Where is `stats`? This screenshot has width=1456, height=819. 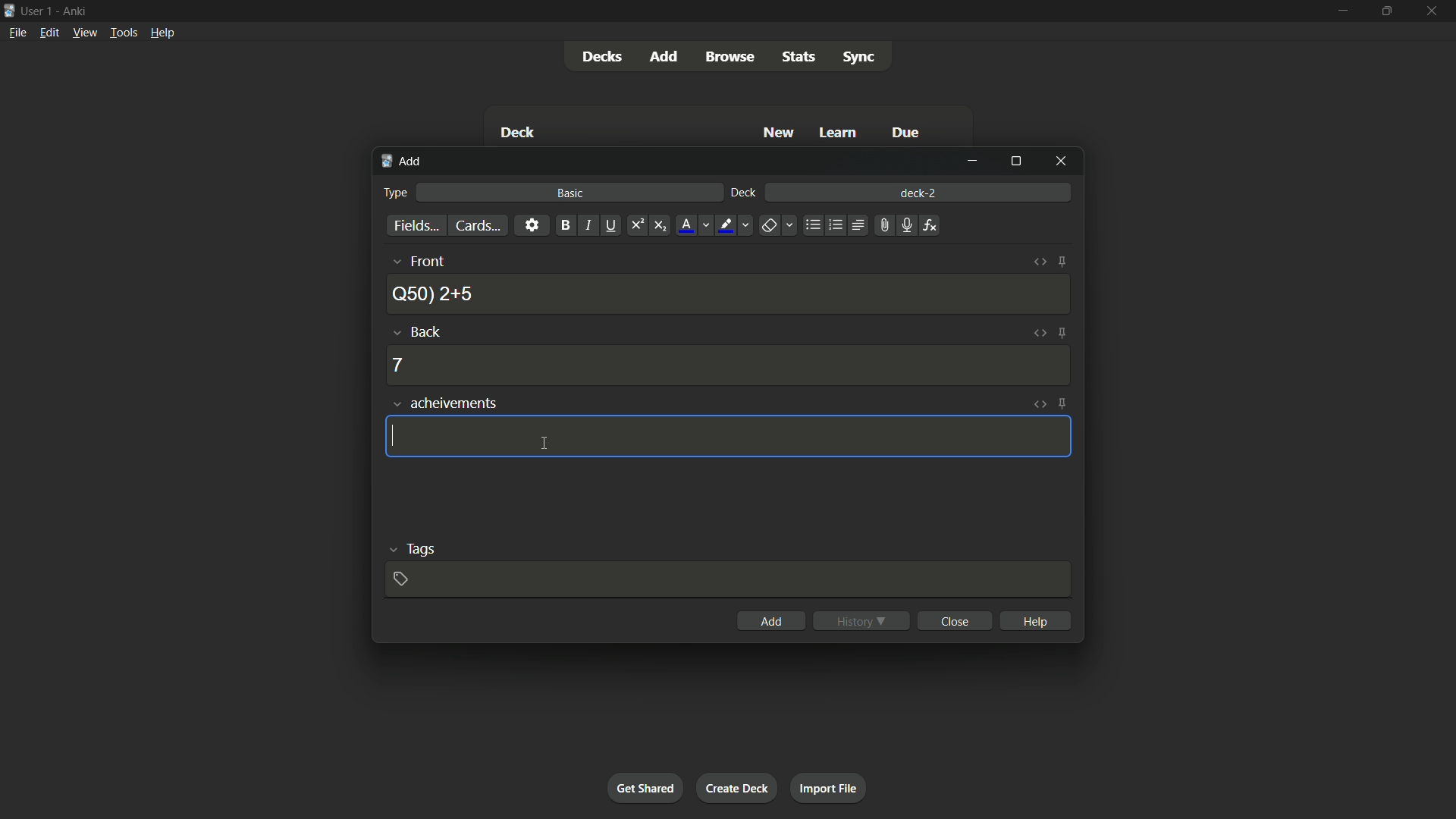 stats is located at coordinates (802, 58).